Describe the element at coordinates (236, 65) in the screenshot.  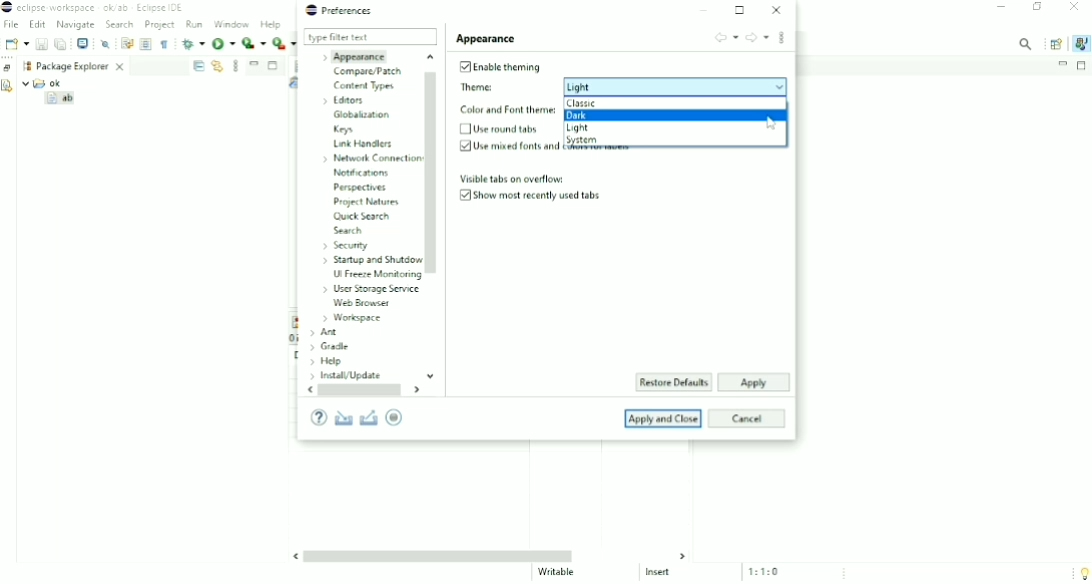
I see `View Menu` at that location.